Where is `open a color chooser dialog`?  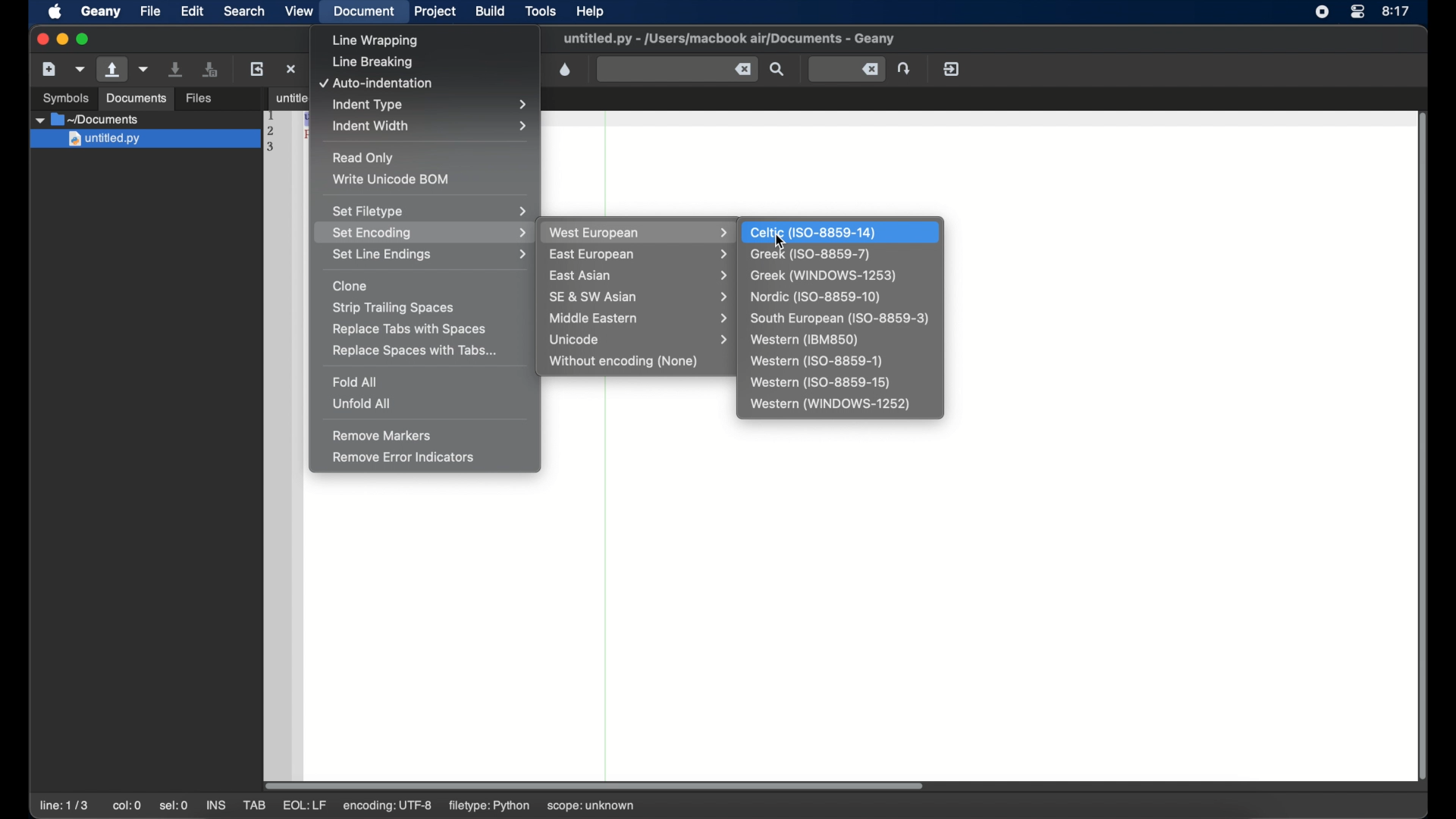 open a color chooser dialog is located at coordinates (566, 70).